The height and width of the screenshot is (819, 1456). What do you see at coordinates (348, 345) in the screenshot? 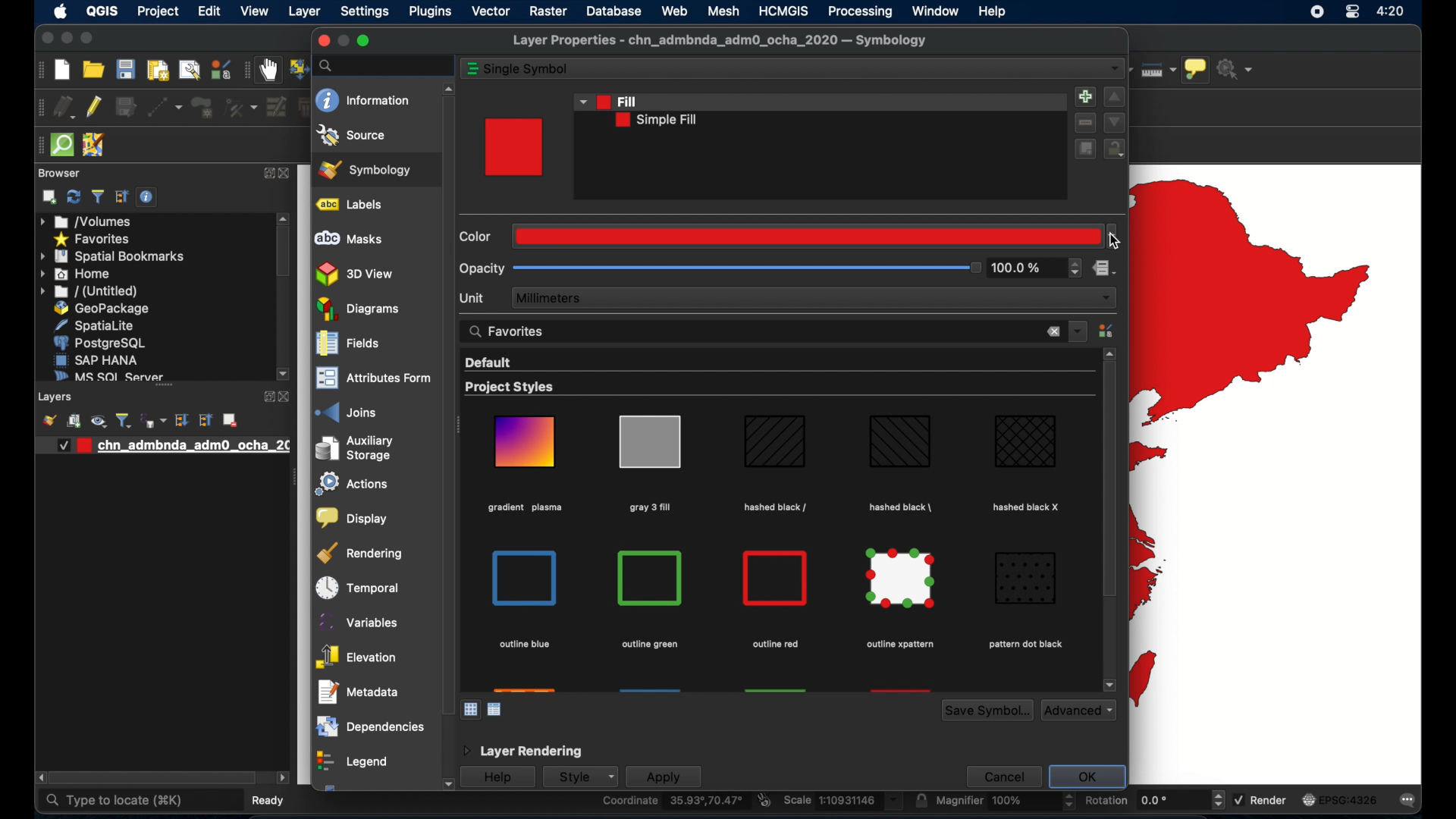
I see `fields` at bounding box center [348, 345].